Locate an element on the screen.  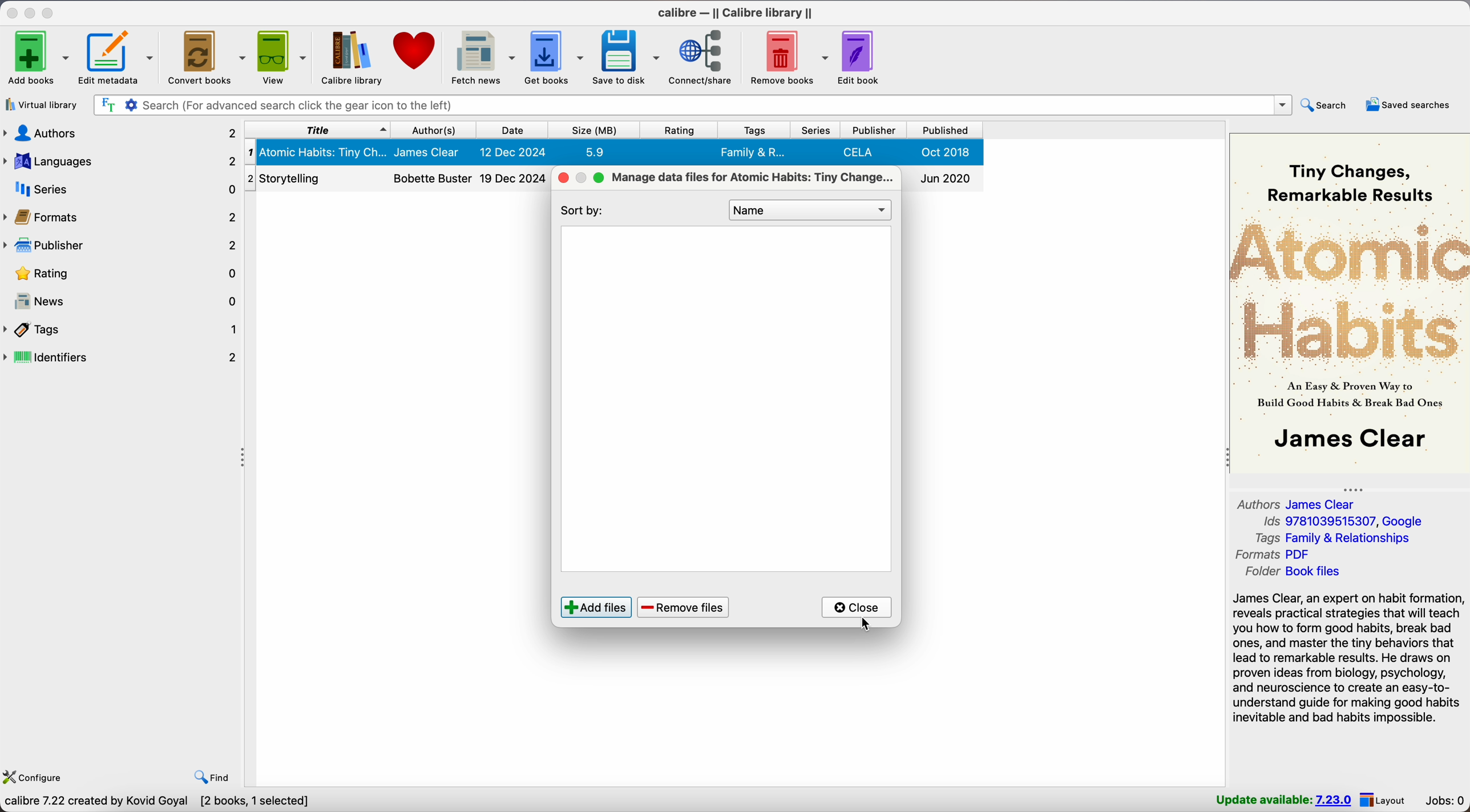
maximize Calibre is located at coordinates (49, 11).